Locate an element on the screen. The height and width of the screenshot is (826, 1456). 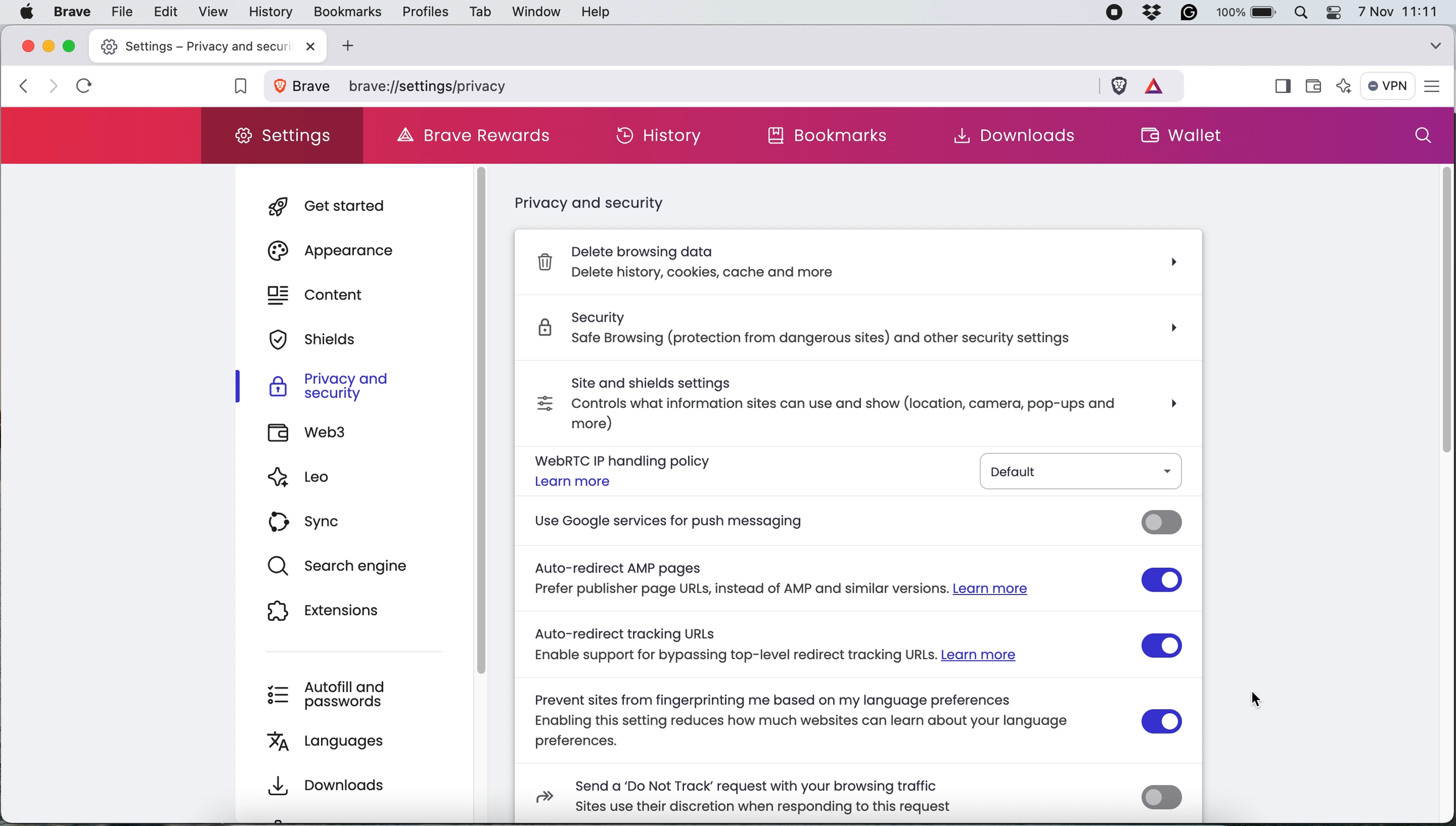
search engine is located at coordinates (349, 567).